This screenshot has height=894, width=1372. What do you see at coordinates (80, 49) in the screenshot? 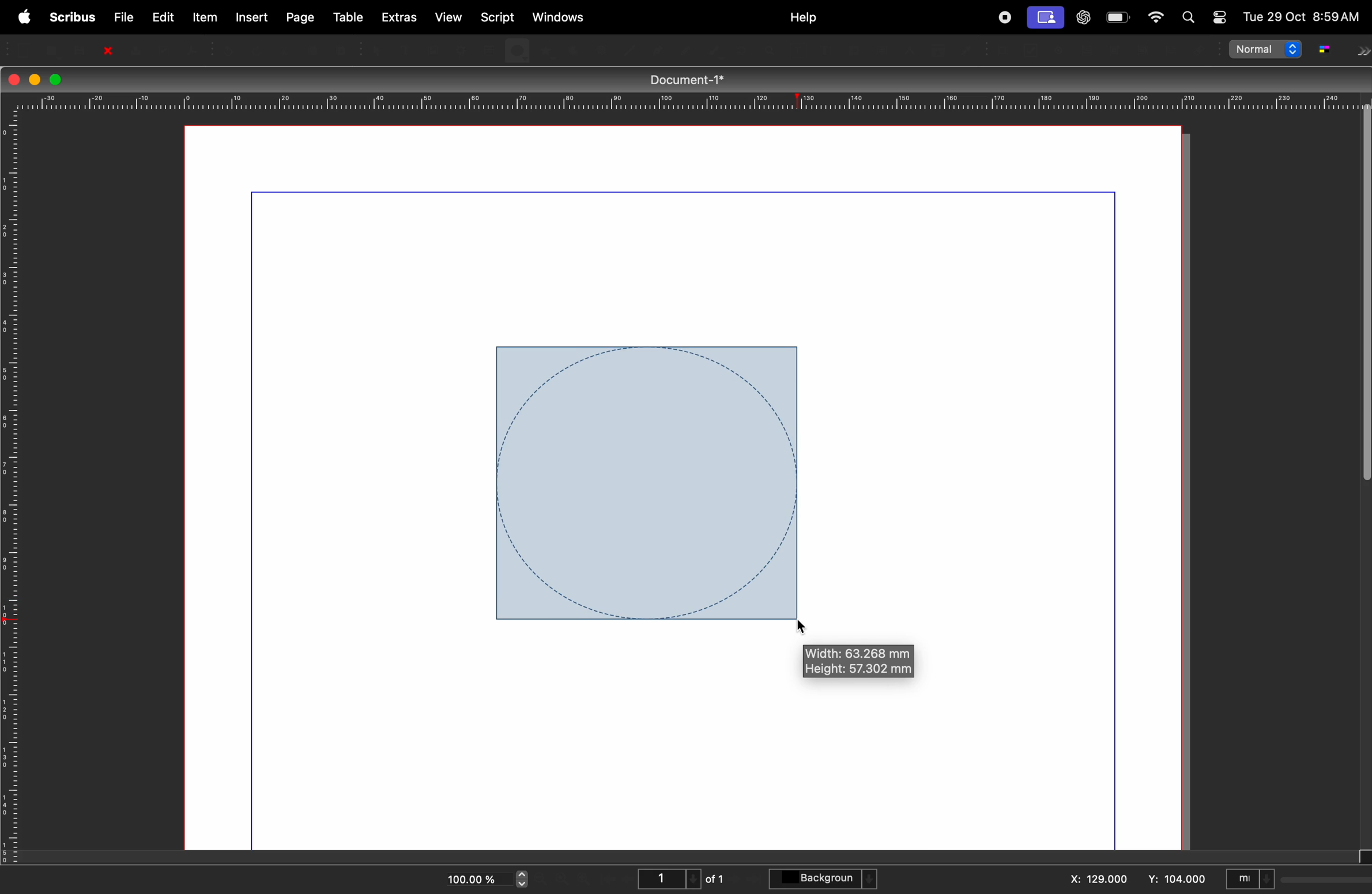
I see `save` at bounding box center [80, 49].